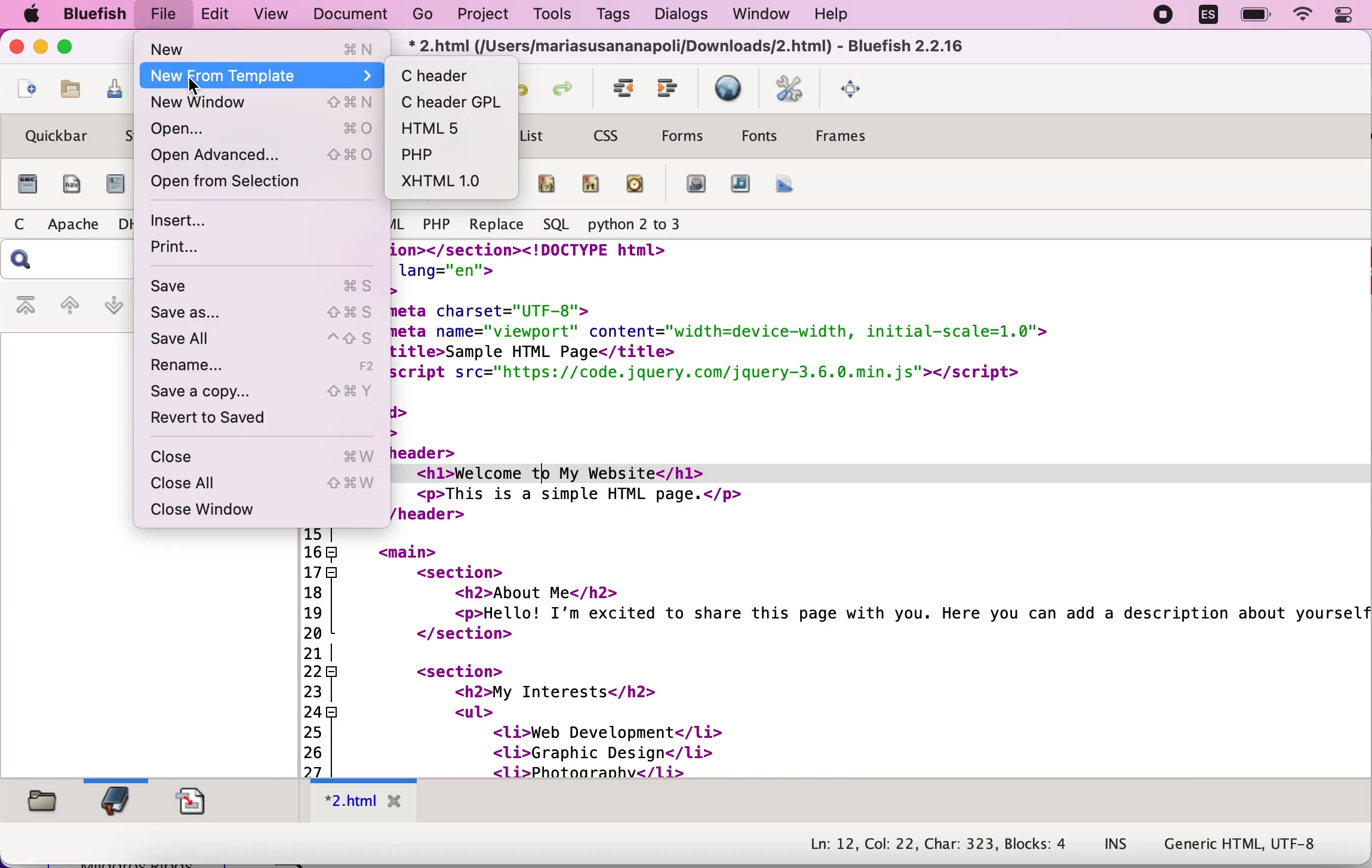 This screenshot has height=868, width=1372. Describe the element at coordinates (217, 15) in the screenshot. I see `edit` at that location.